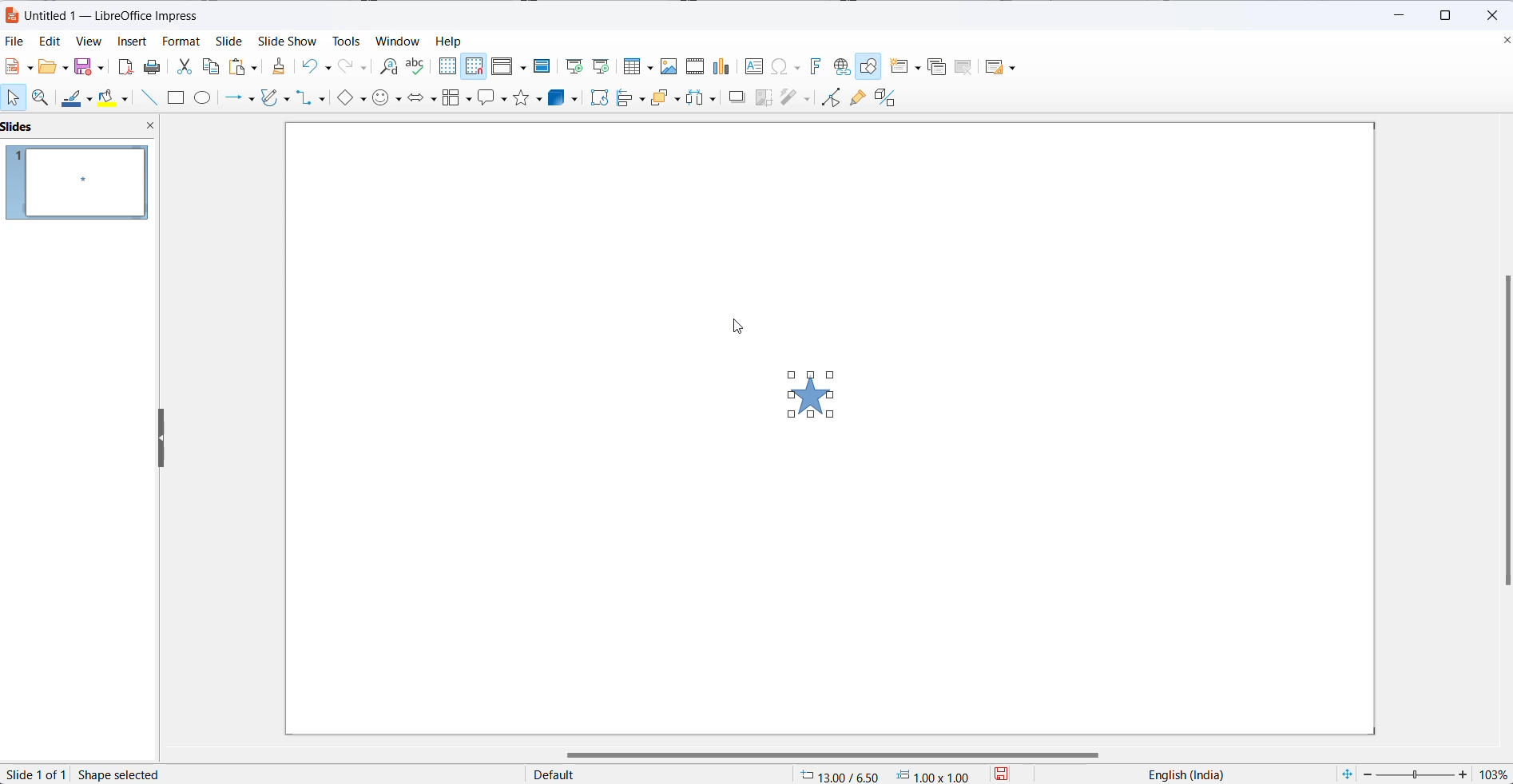  Describe the element at coordinates (1177, 775) in the screenshot. I see `English(India)` at that location.